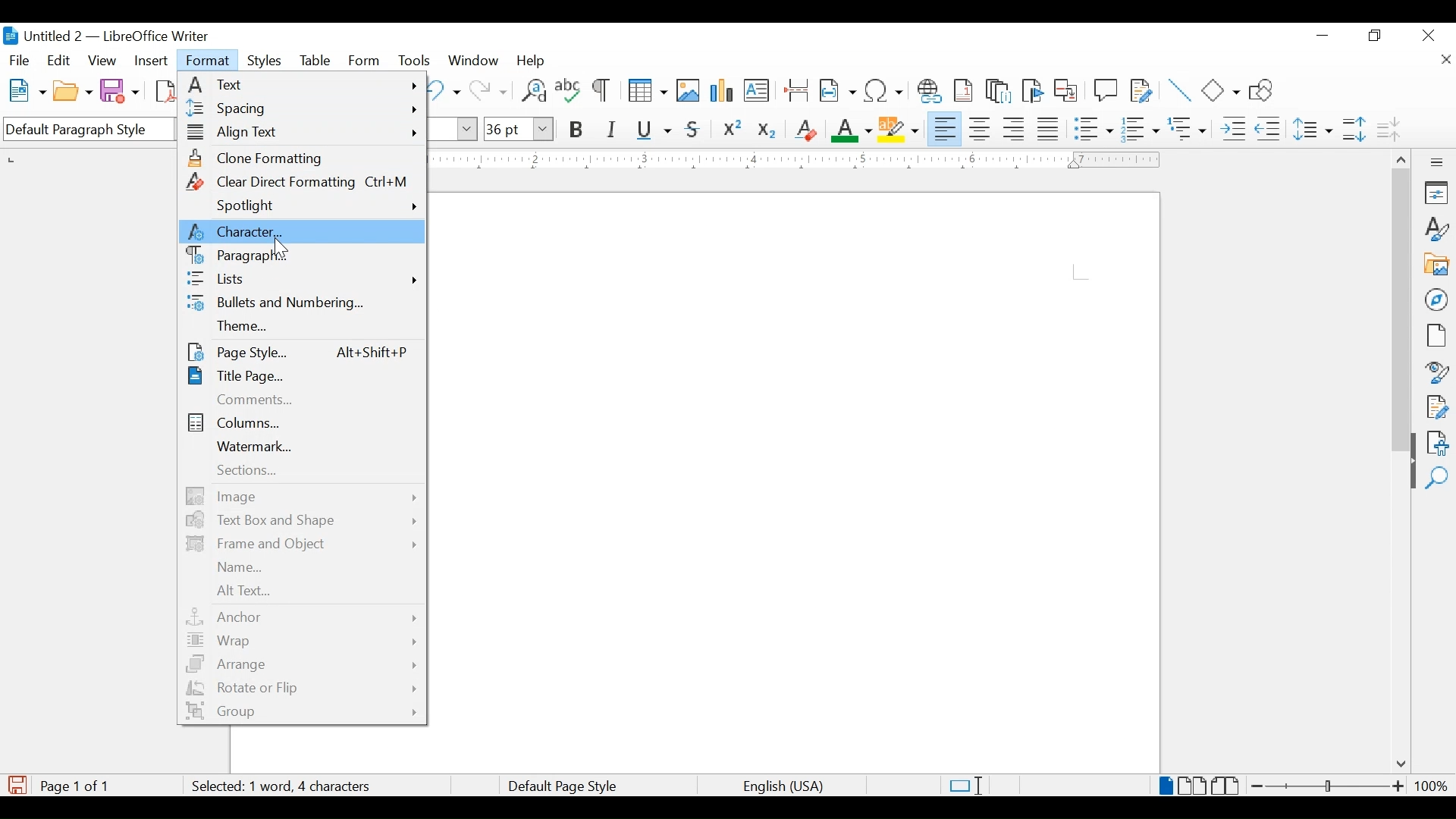 The height and width of the screenshot is (819, 1456). I want to click on tools, so click(414, 60).